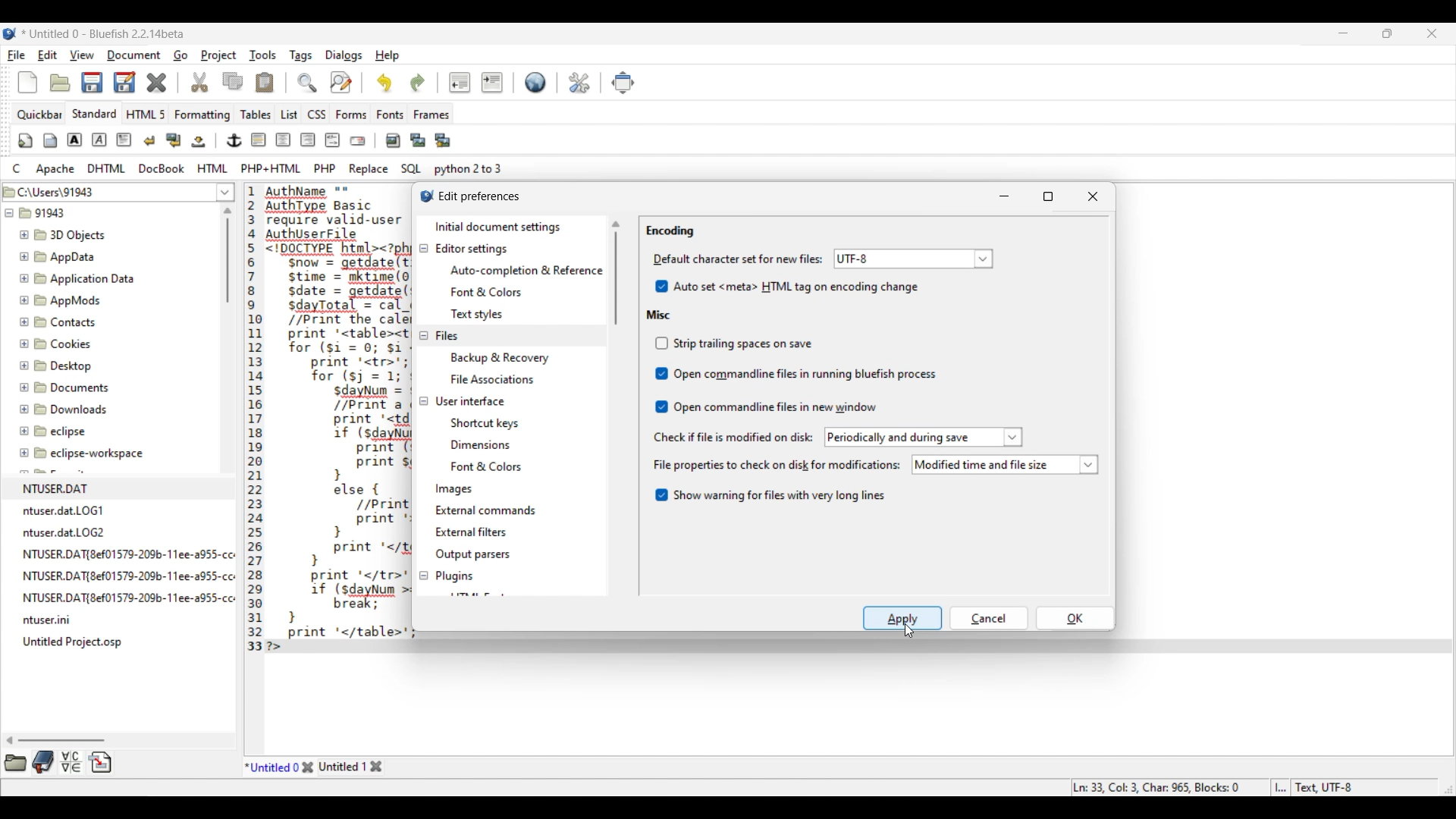 This screenshot has height=819, width=1456. I want to click on Copy, so click(233, 81).